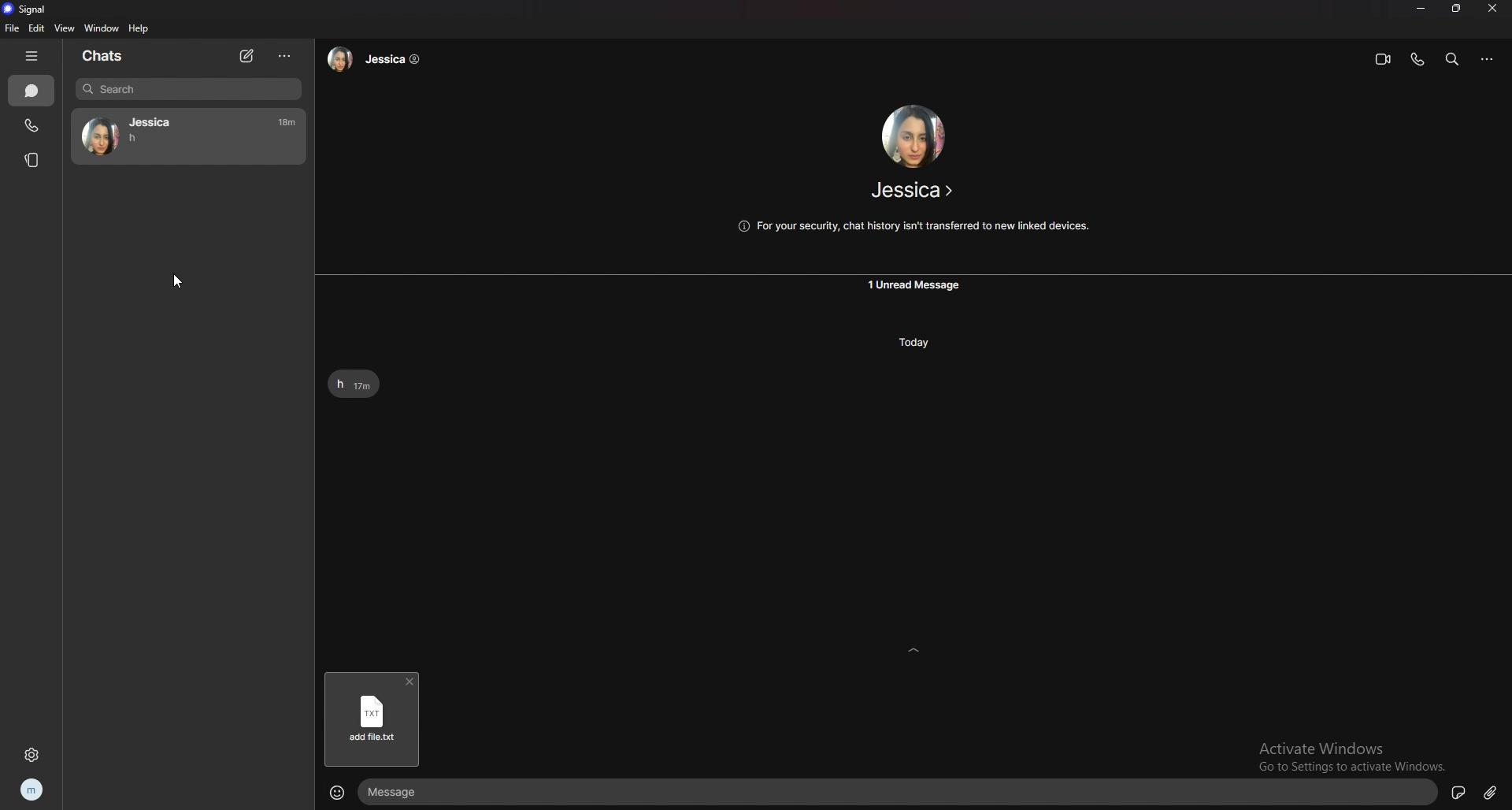  What do you see at coordinates (12, 28) in the screenshot?
I see `file` at bounding box center [12, 28].